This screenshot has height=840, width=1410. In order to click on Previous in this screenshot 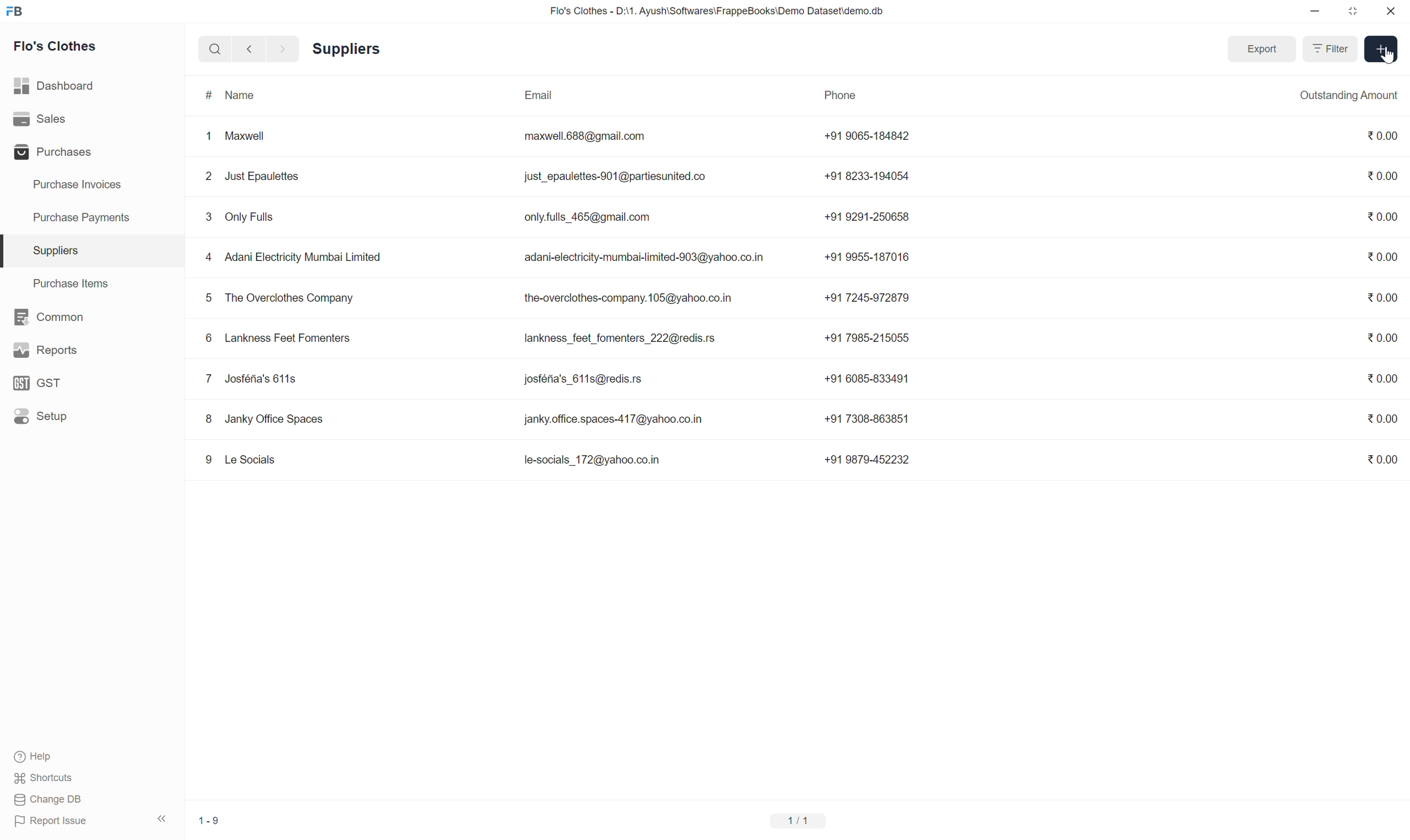, I will do `click(249, 49)`.